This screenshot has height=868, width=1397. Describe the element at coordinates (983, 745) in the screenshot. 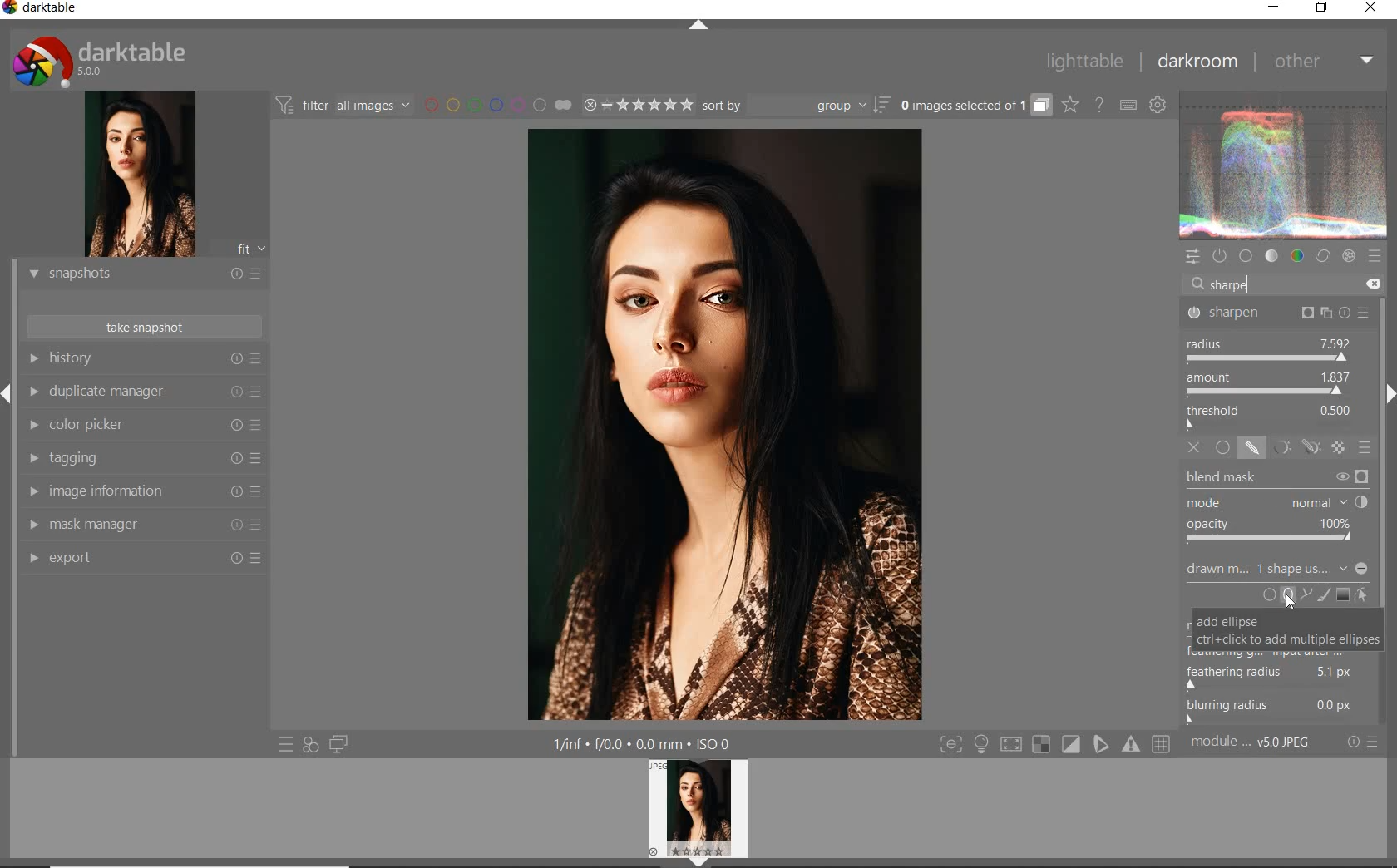

I see `light sign ` at that location.